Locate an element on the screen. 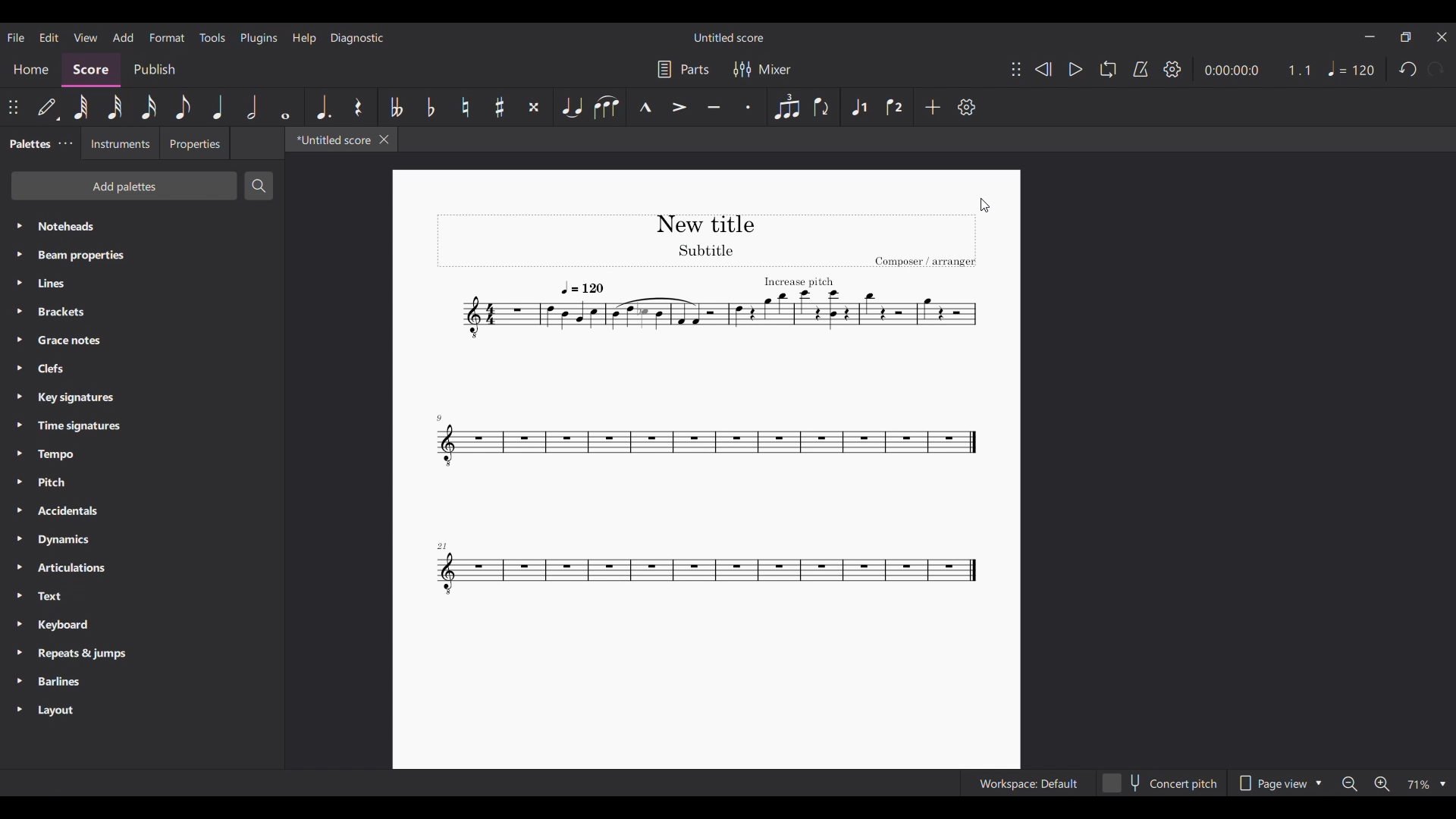 This screenshot has width=1456, height=819. Zoom options is located at coordinates (1426, 783).